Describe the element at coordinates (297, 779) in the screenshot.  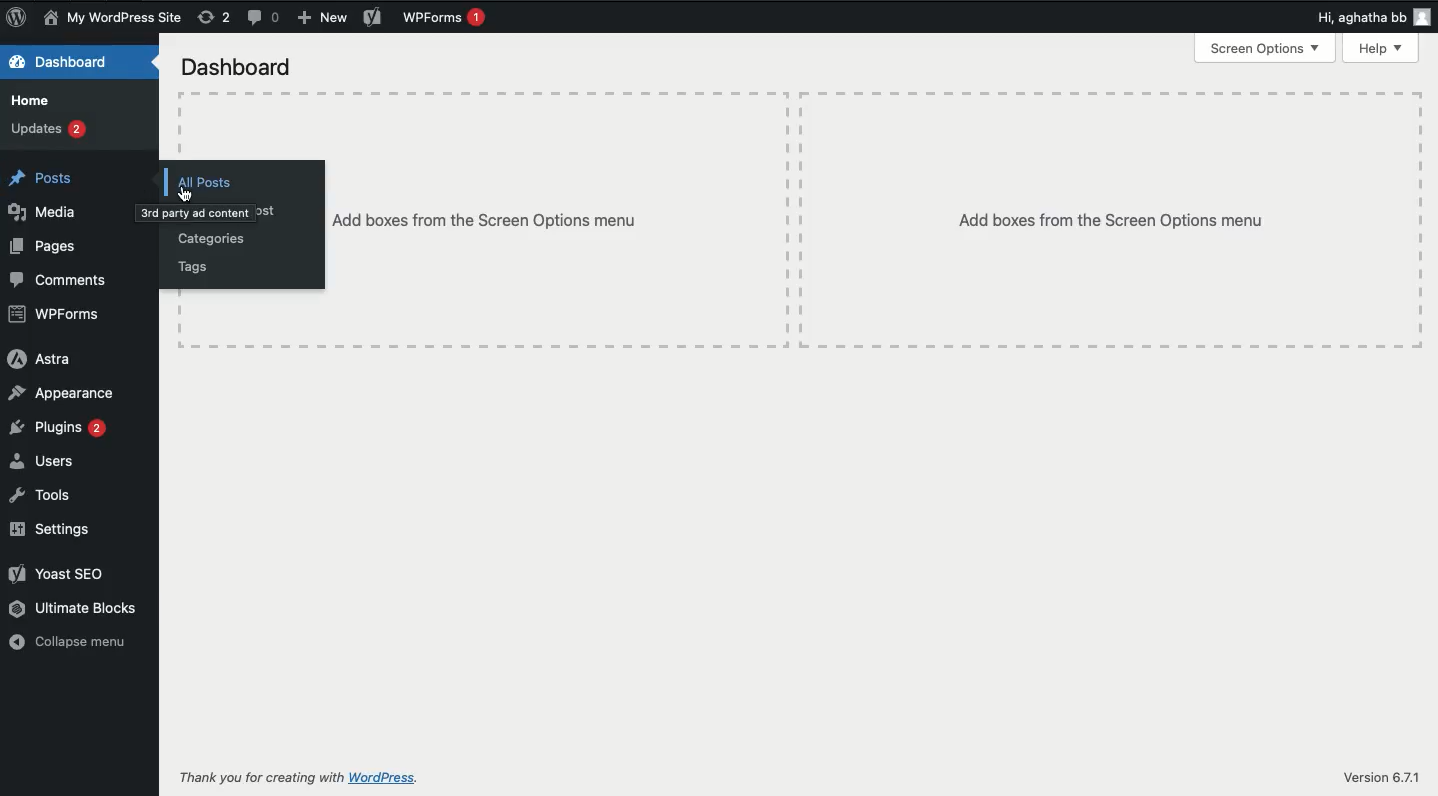
I see `Thank you for creating with WordPress` at that location.